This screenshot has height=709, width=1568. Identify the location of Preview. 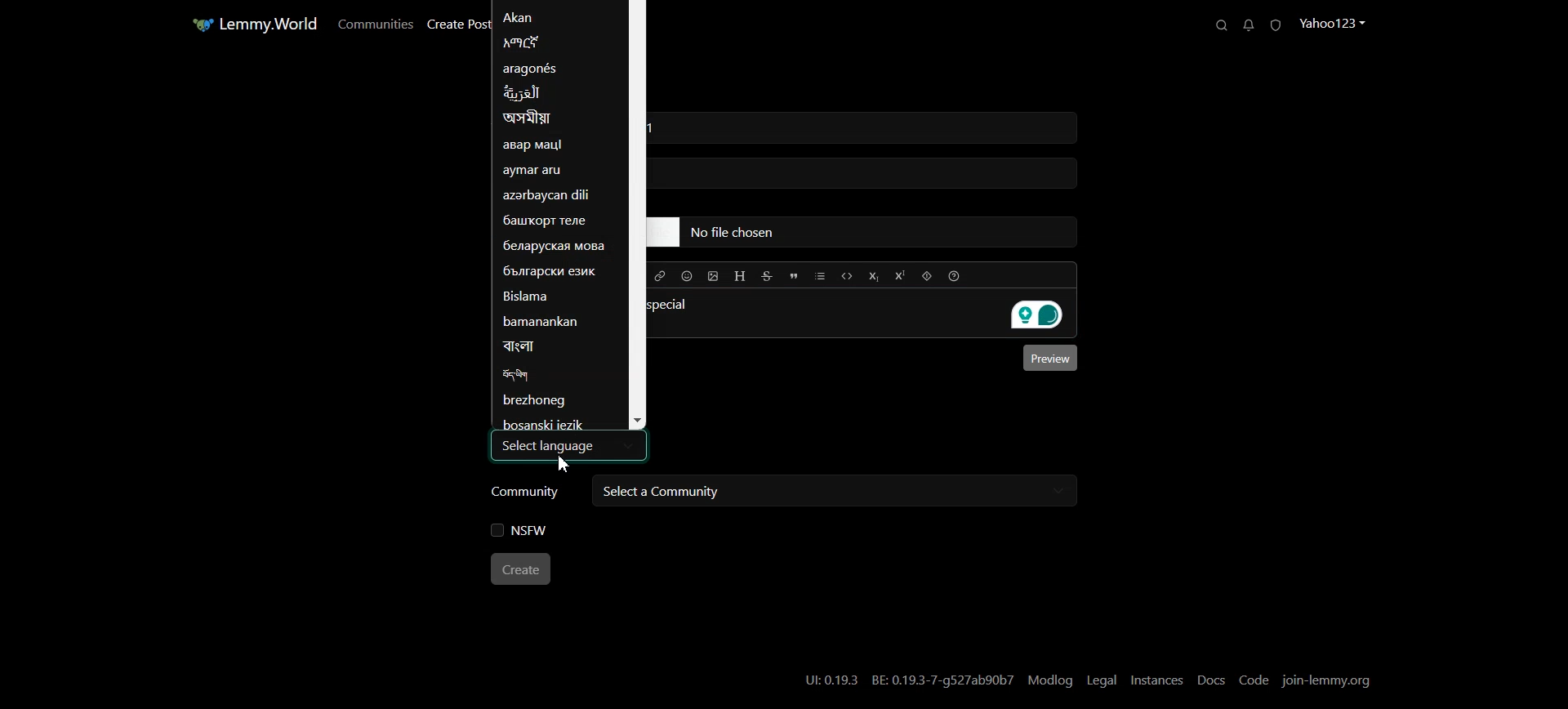
(1051, 359).